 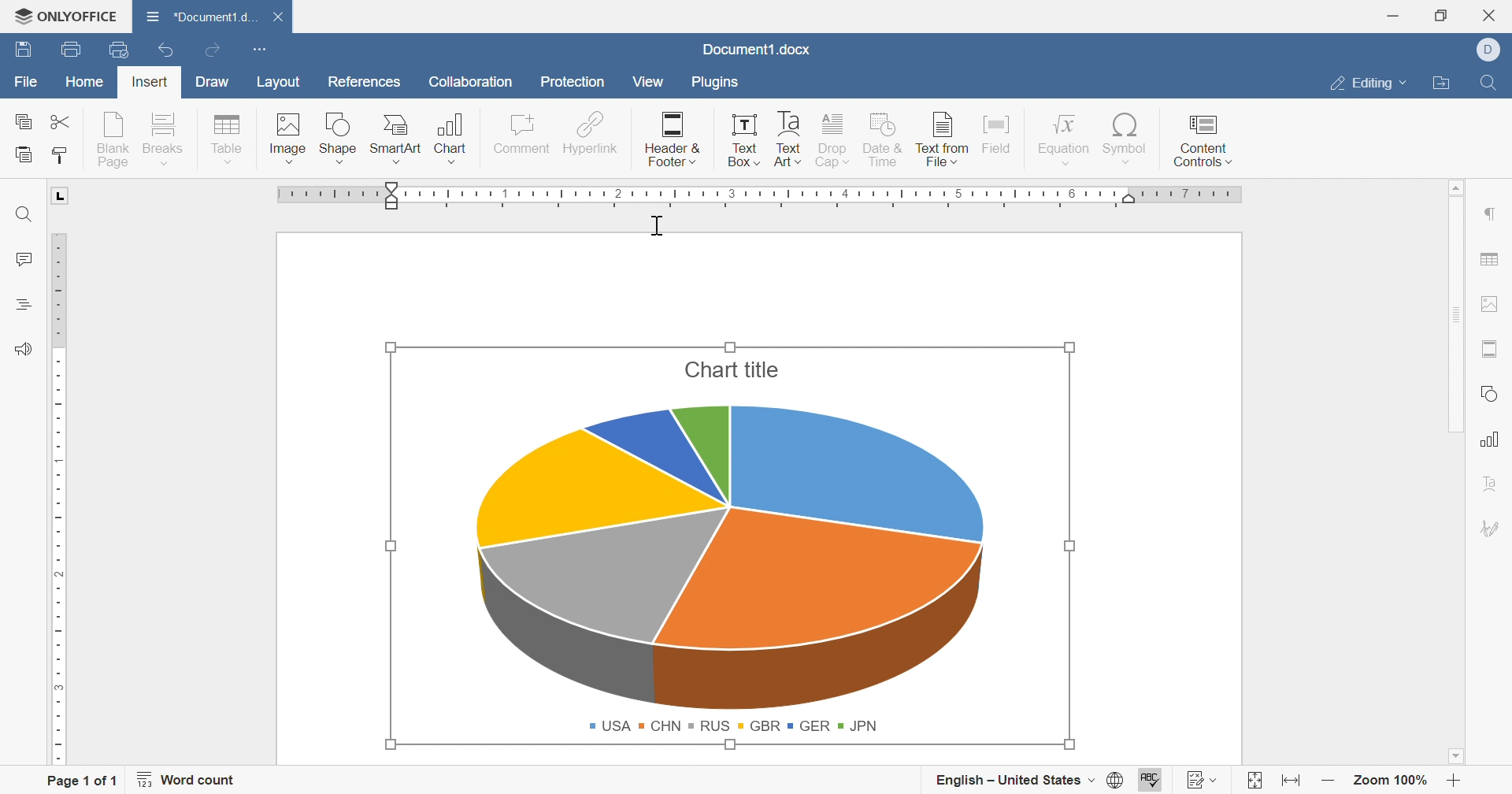 What do you see at coordinates (113, 136) in the screenshot?
I see `Blank Page` at bounding box center [113, 136].